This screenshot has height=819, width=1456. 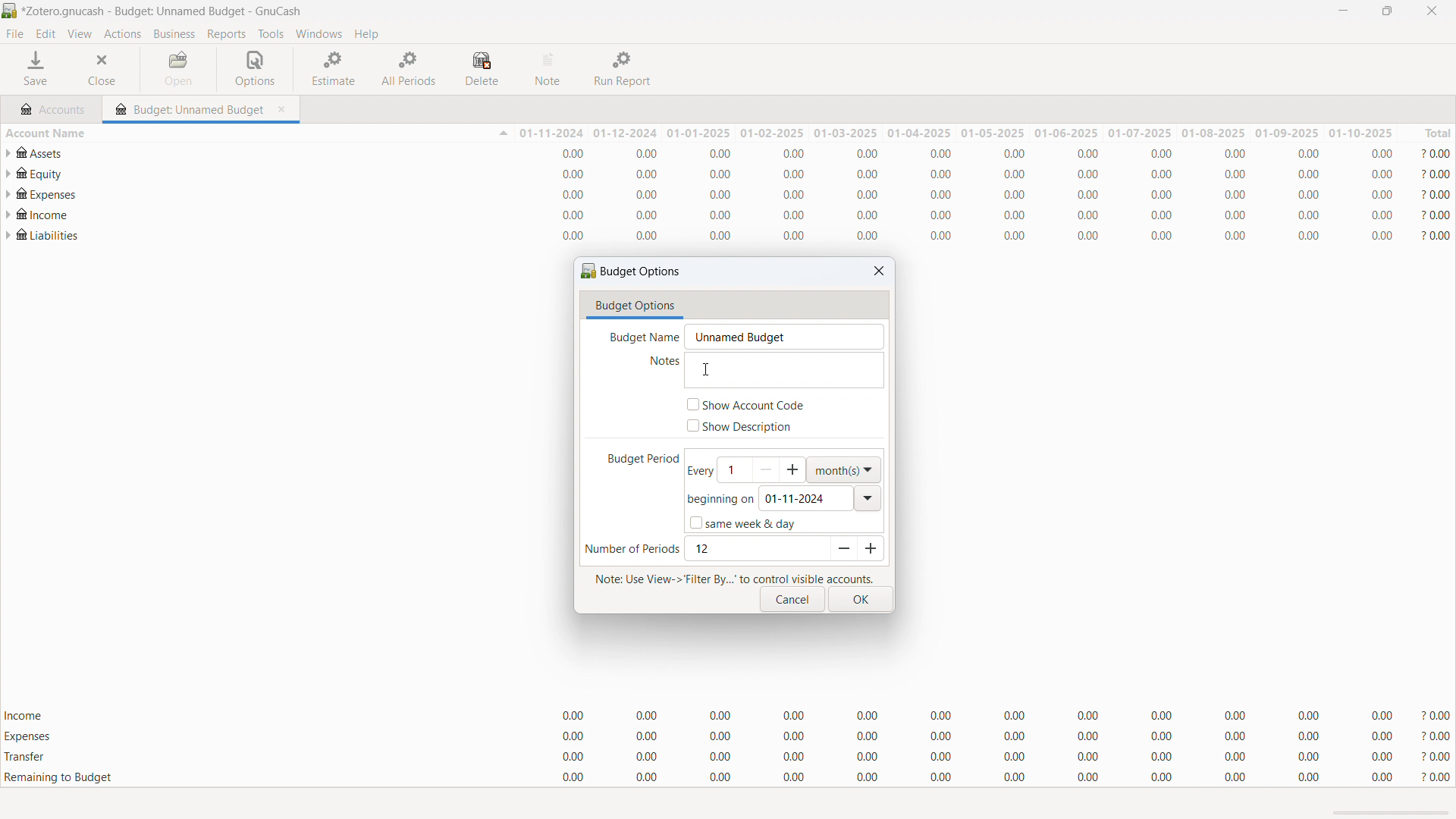 I want to click on 01-09-2025, so click(x=1288, y=133).